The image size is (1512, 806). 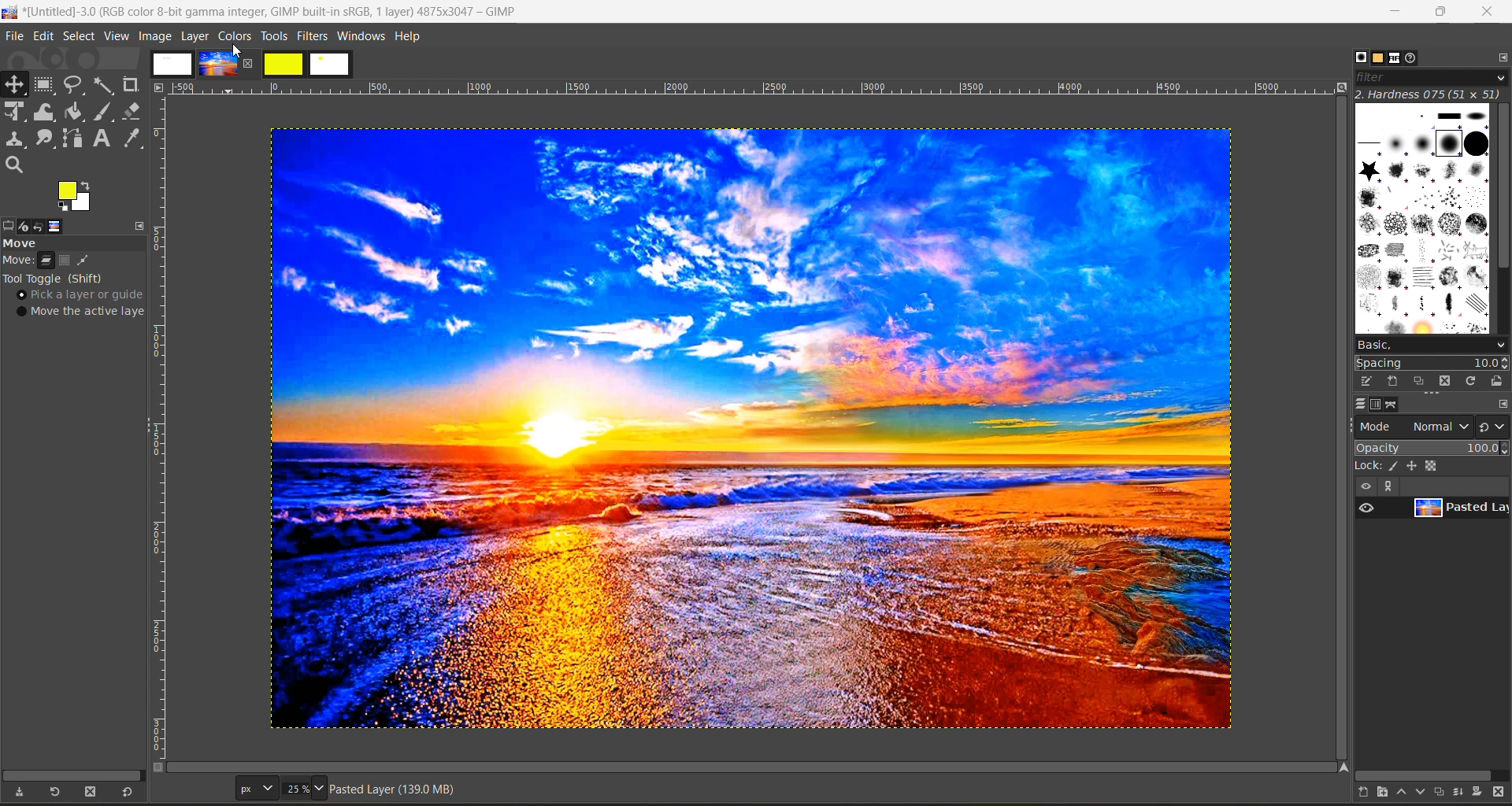 I want to click on preview, so click(x=1366, y=507).